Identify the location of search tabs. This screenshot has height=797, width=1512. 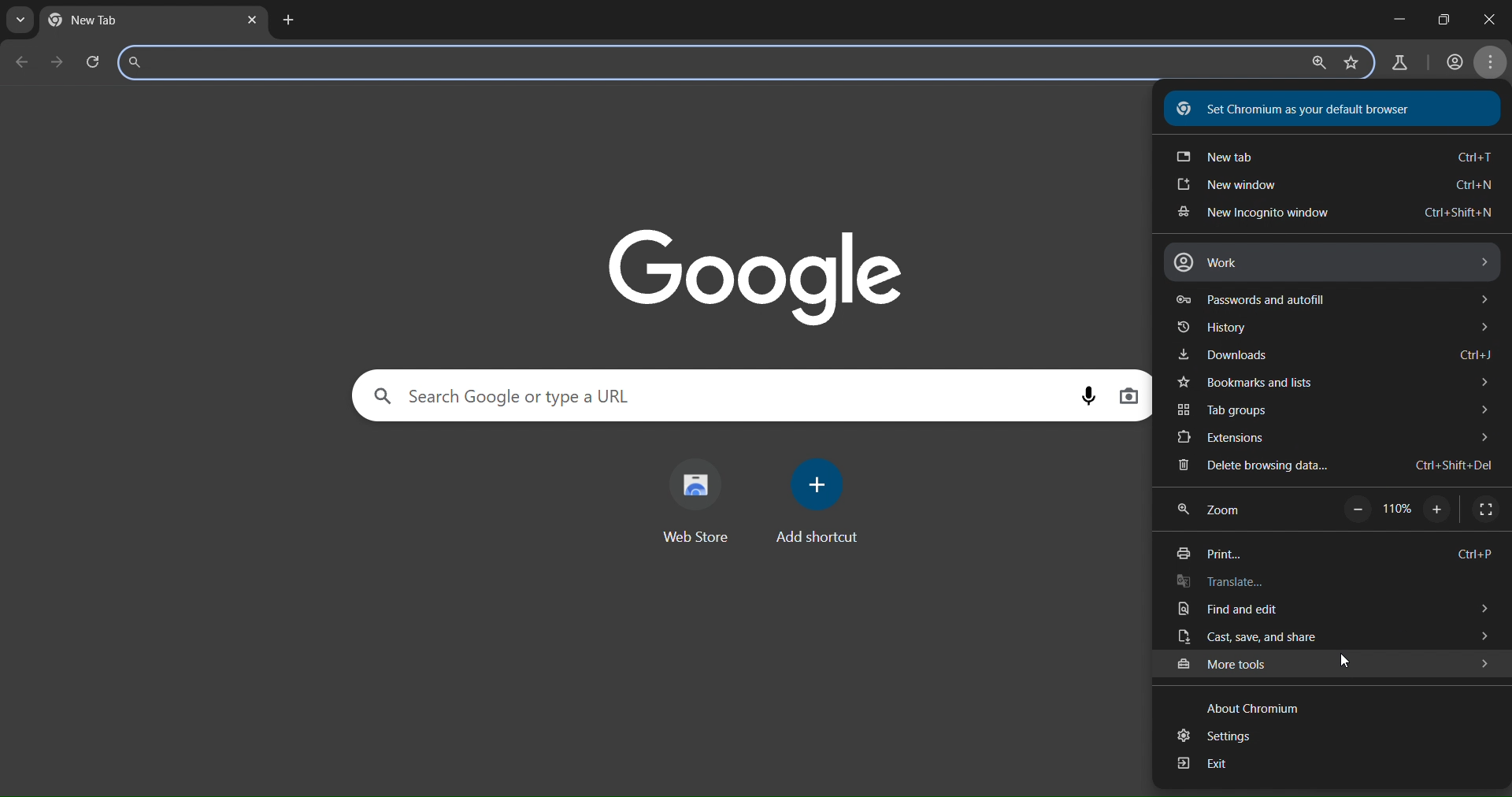
(20, 21).